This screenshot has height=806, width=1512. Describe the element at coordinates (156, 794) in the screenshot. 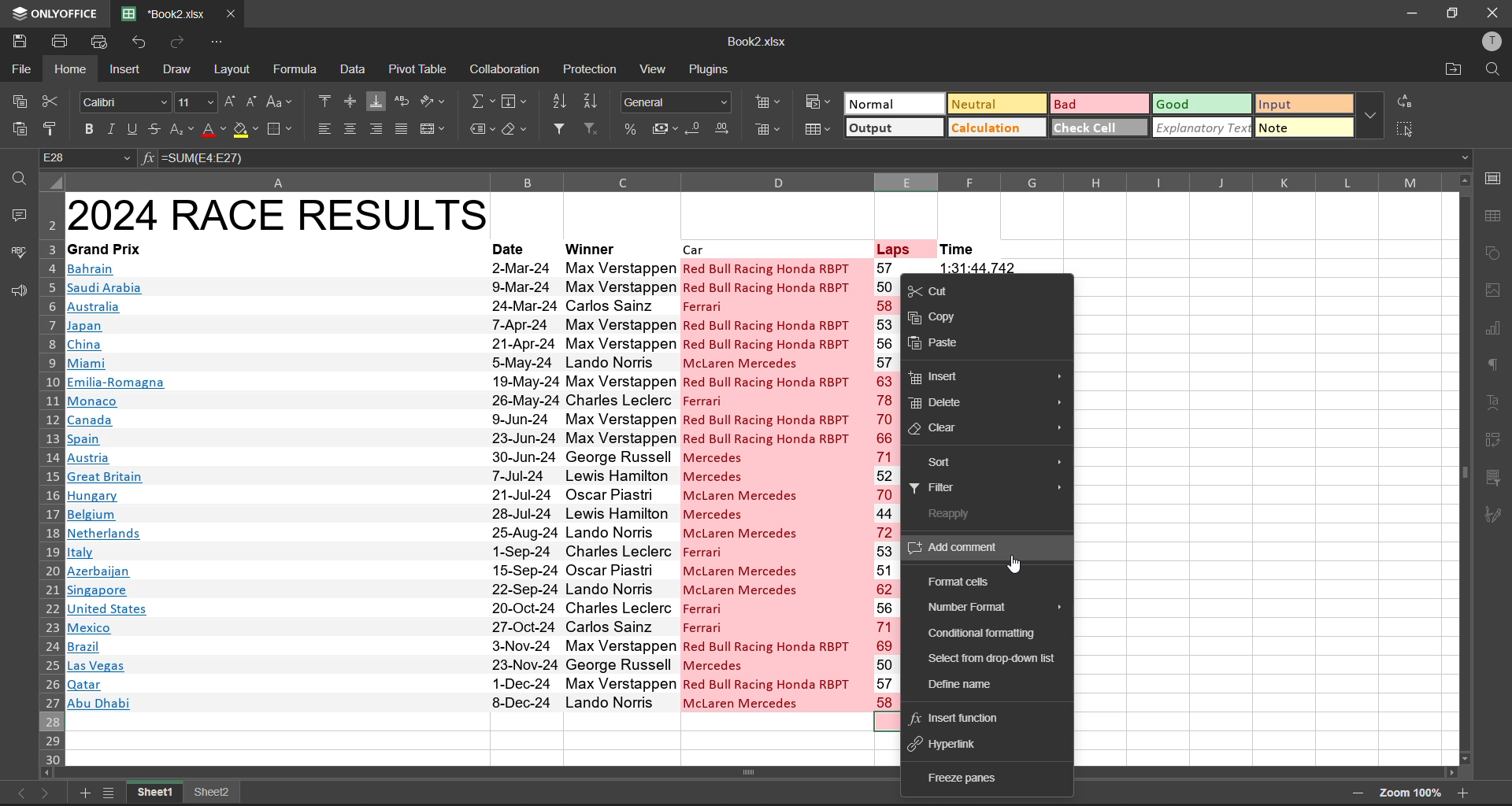

I see `sheet names` at that location.